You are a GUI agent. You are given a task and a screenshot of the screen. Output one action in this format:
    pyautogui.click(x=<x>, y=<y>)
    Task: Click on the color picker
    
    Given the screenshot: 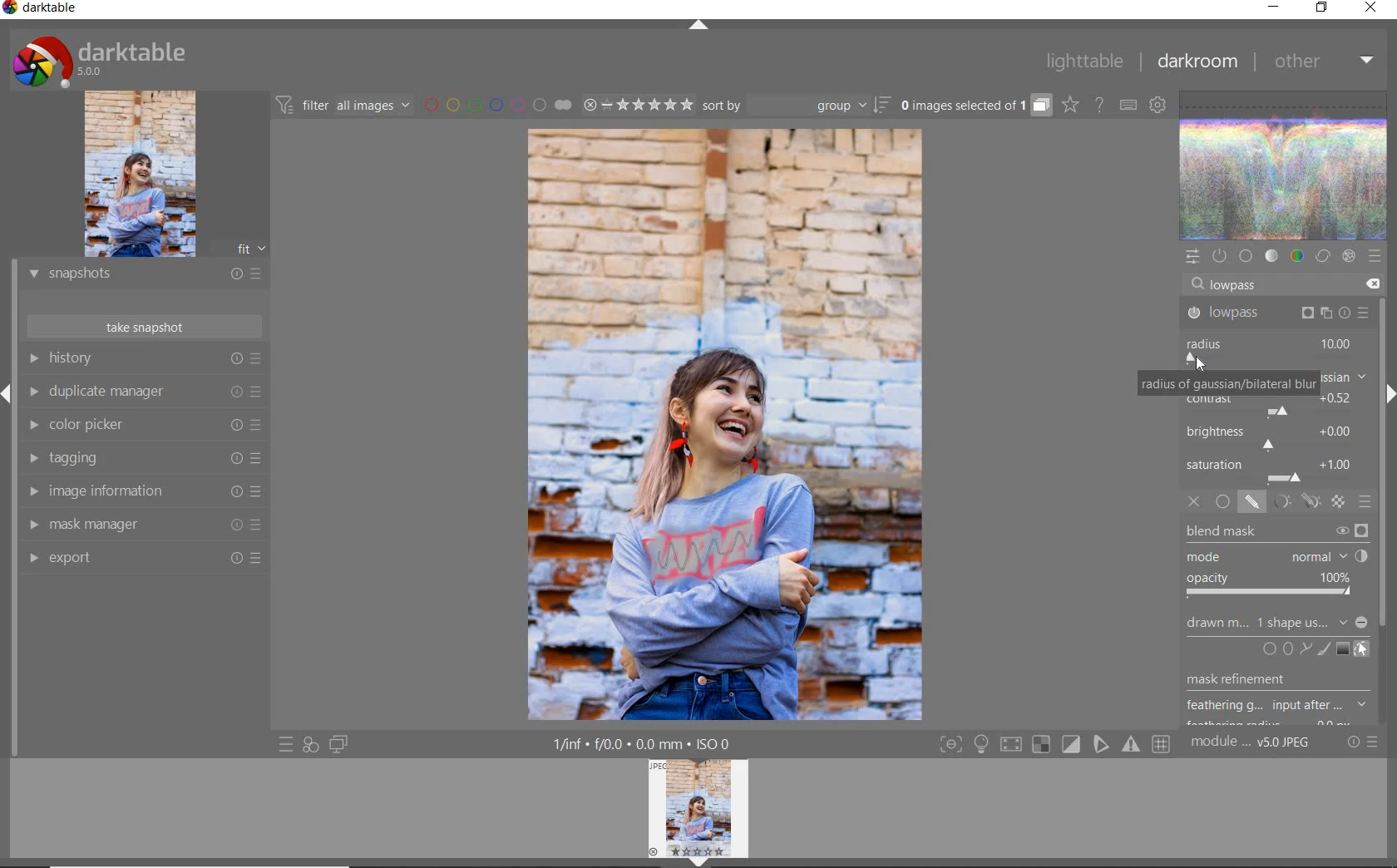 What is the action you would take?
    pyautogui.click(x=141, y=427)
    